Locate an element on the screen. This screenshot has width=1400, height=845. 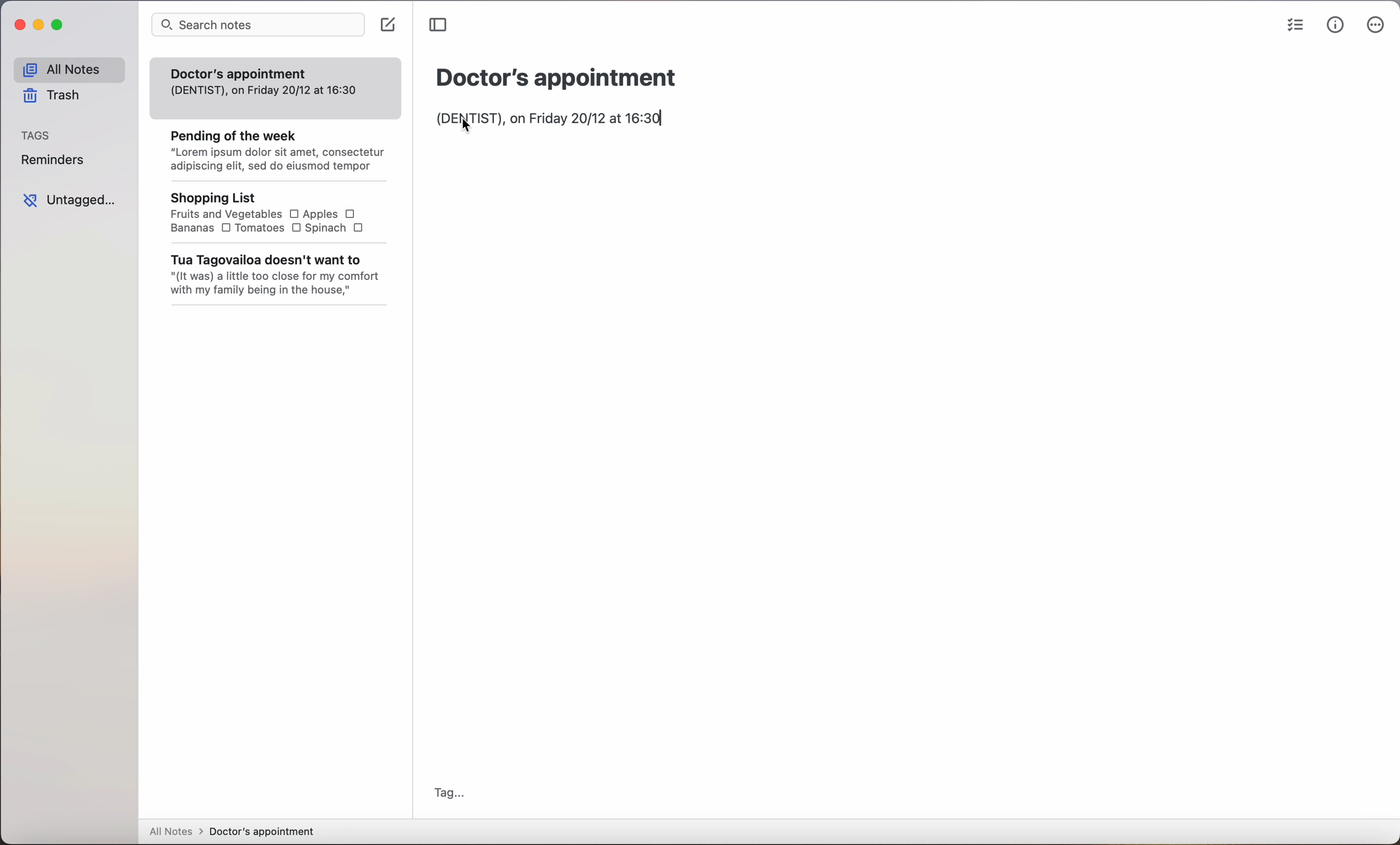
search notes is located at coordinates (256, 25).